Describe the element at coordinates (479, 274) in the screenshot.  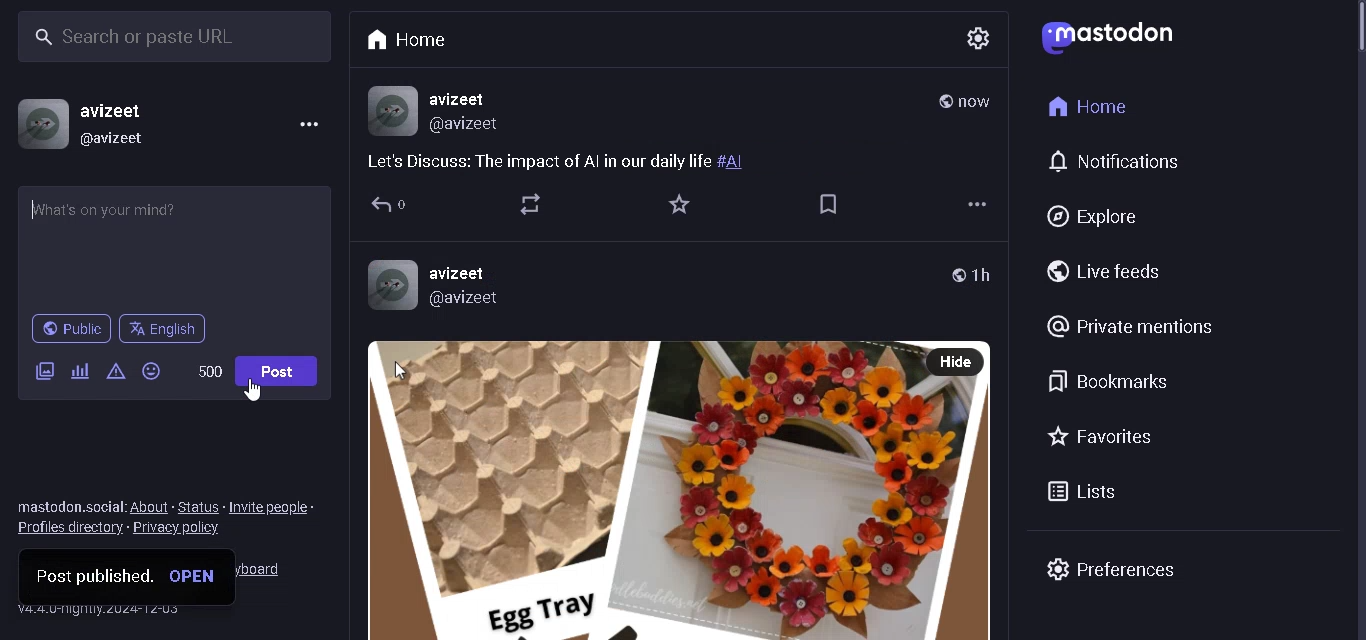
I see `username` at that location.